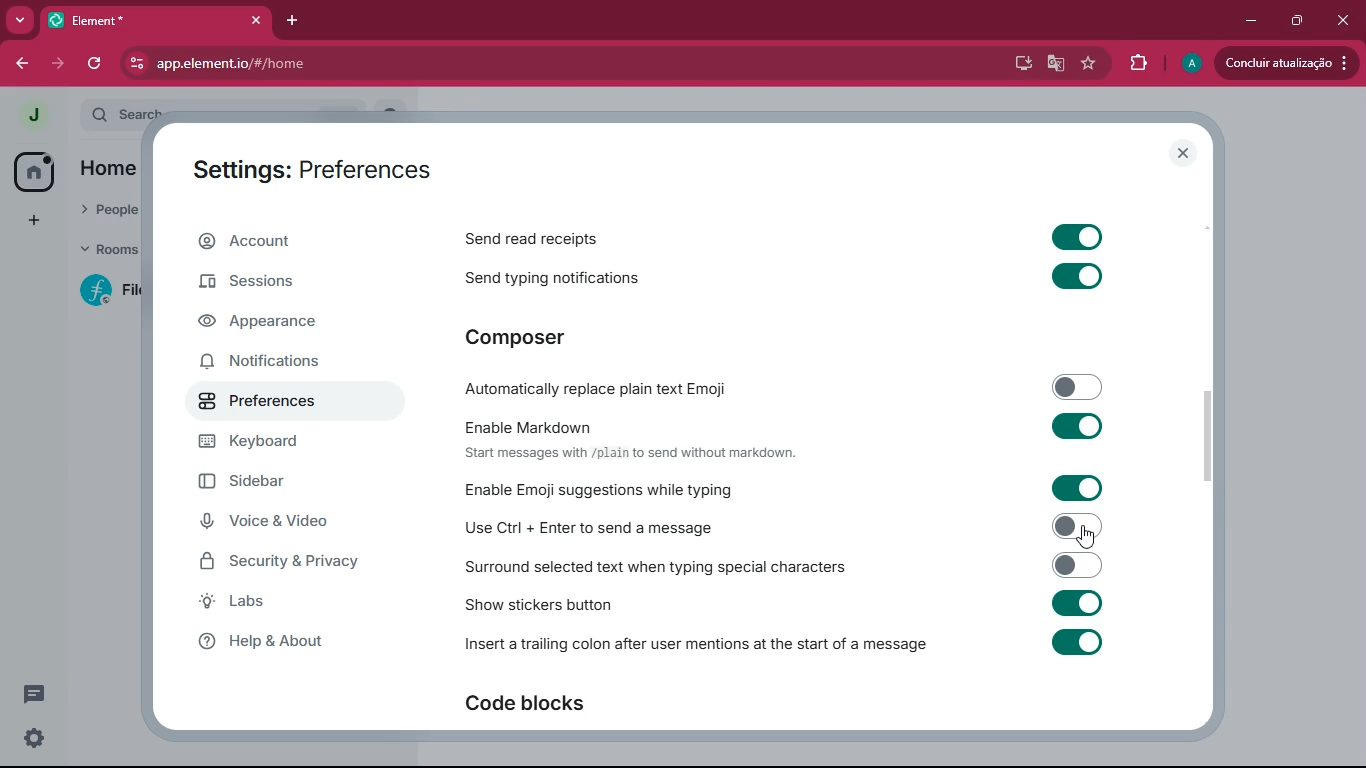  I want to click on enable emoji, so click(600, 490).